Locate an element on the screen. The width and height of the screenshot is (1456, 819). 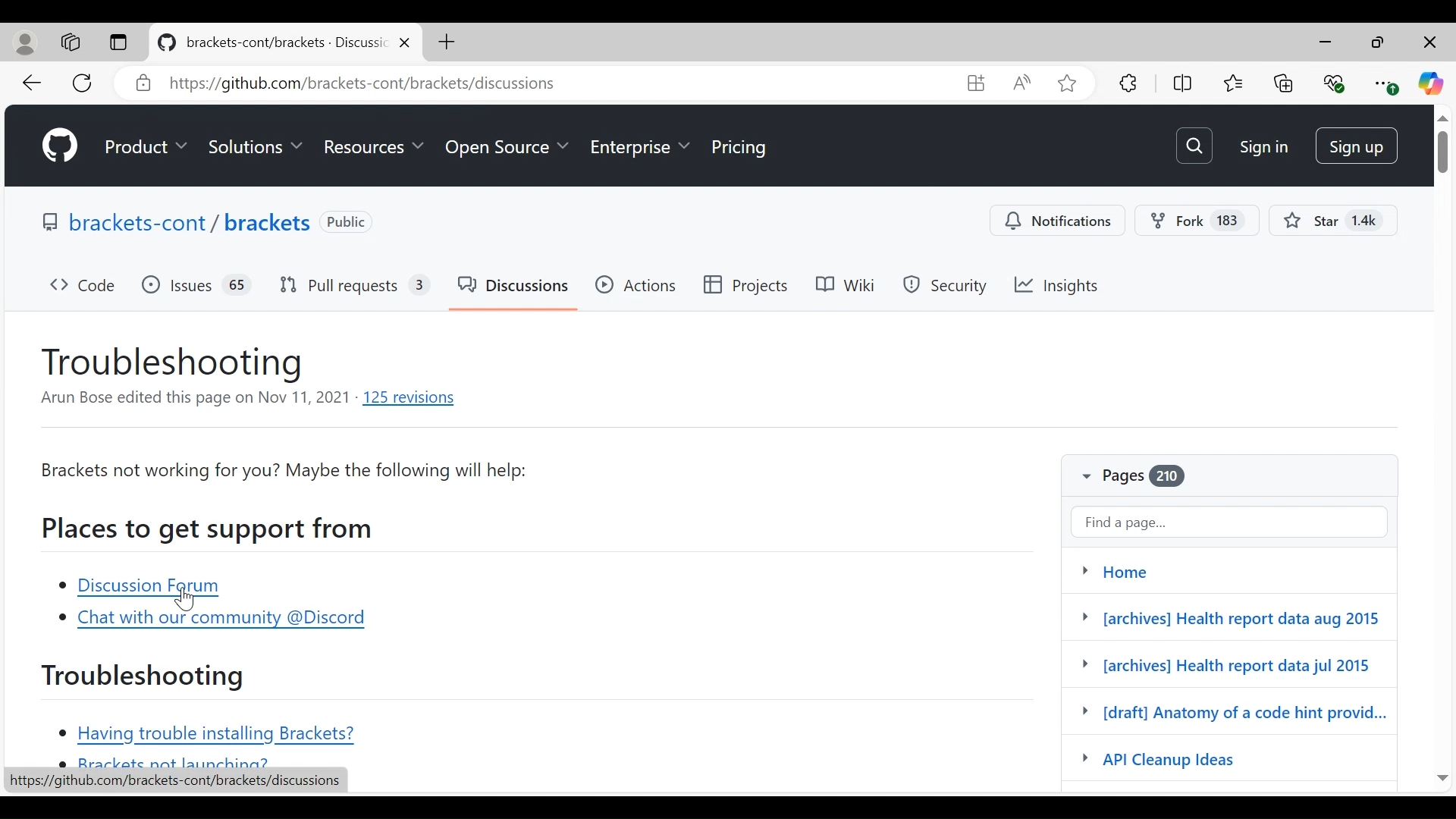
Brackets not working for you? Maybe the following will help is located at coordinates (284, 472).